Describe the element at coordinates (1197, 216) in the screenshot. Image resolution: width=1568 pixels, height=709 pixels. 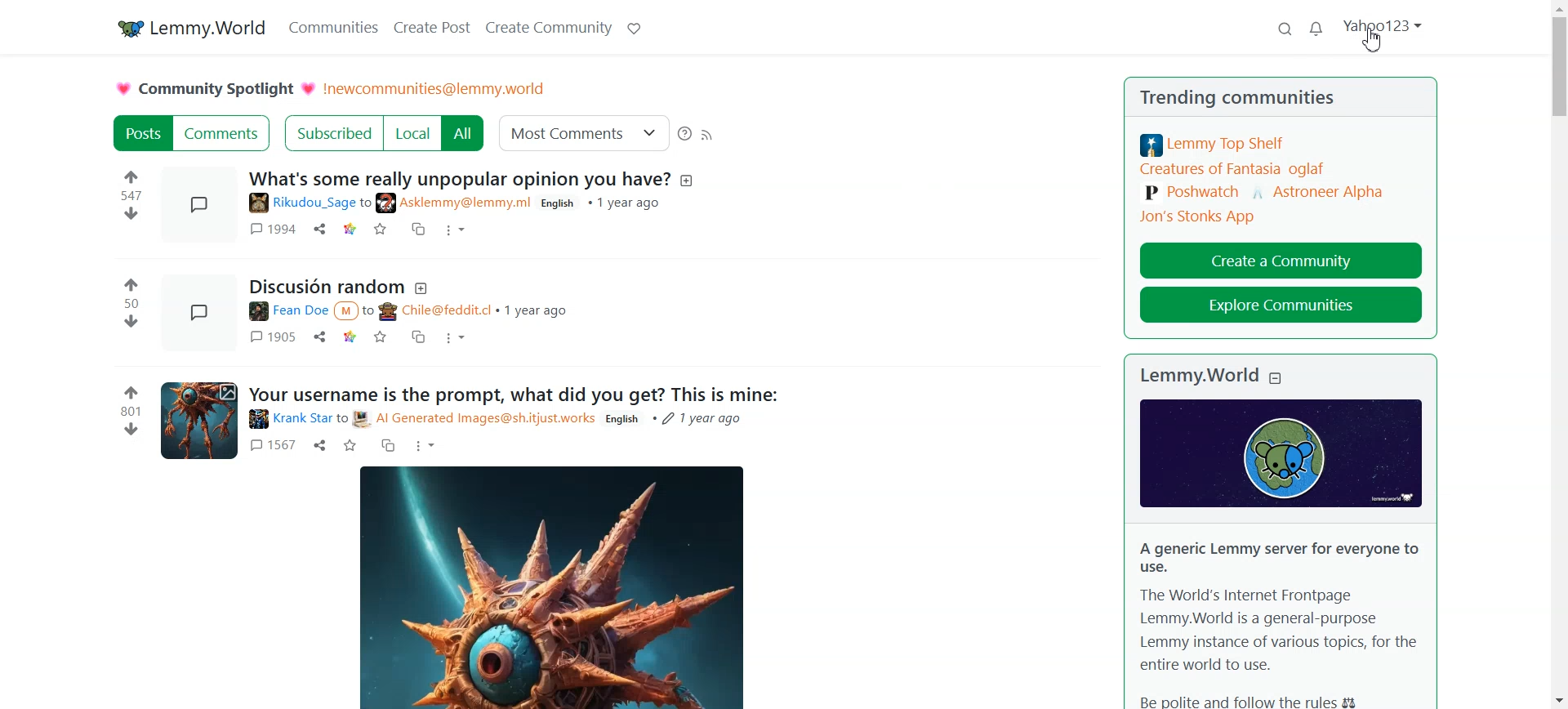
I see `jon's stonks app` at that location.